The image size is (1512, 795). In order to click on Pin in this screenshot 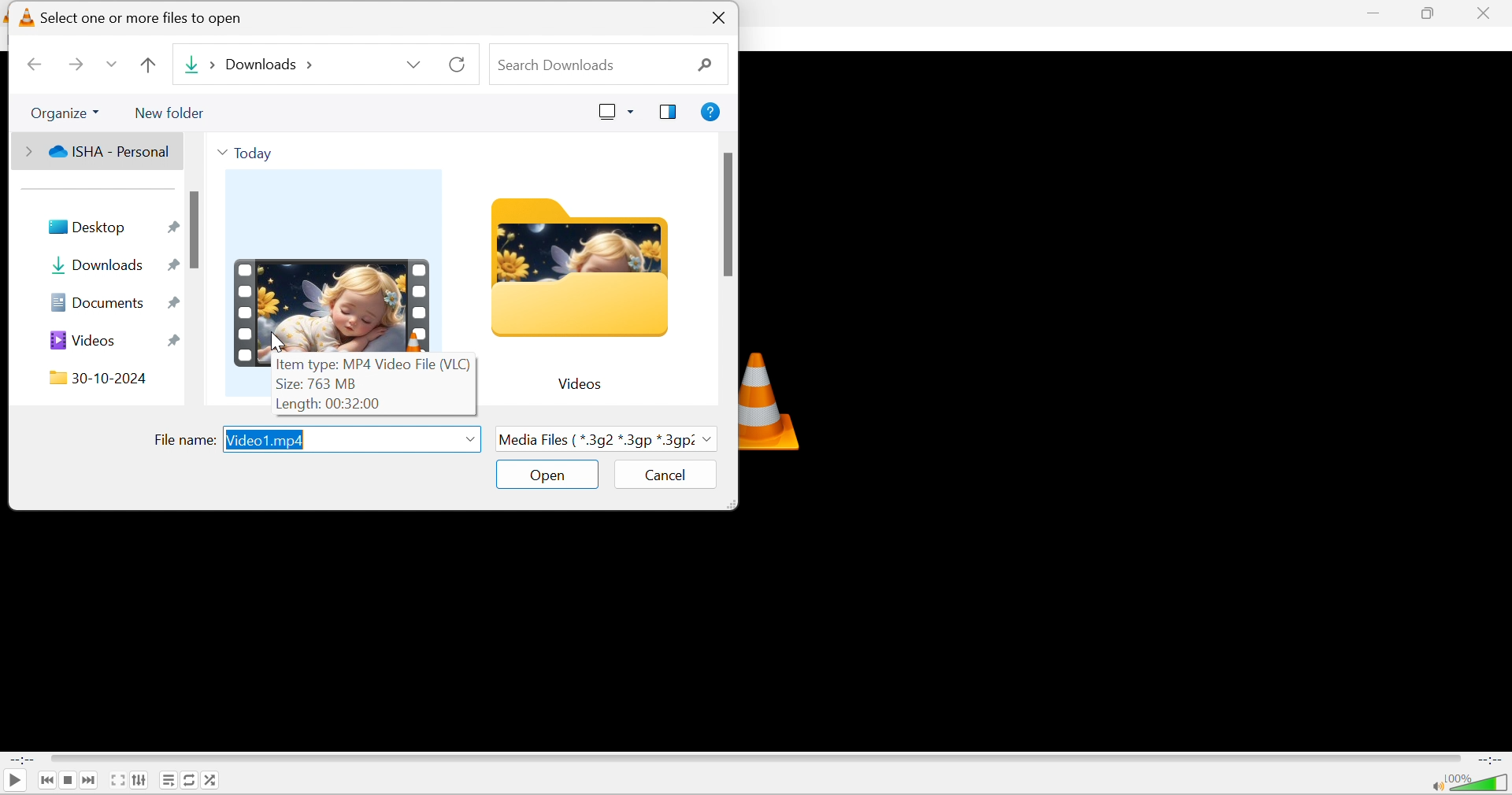, I will do `click(176, 301)`.